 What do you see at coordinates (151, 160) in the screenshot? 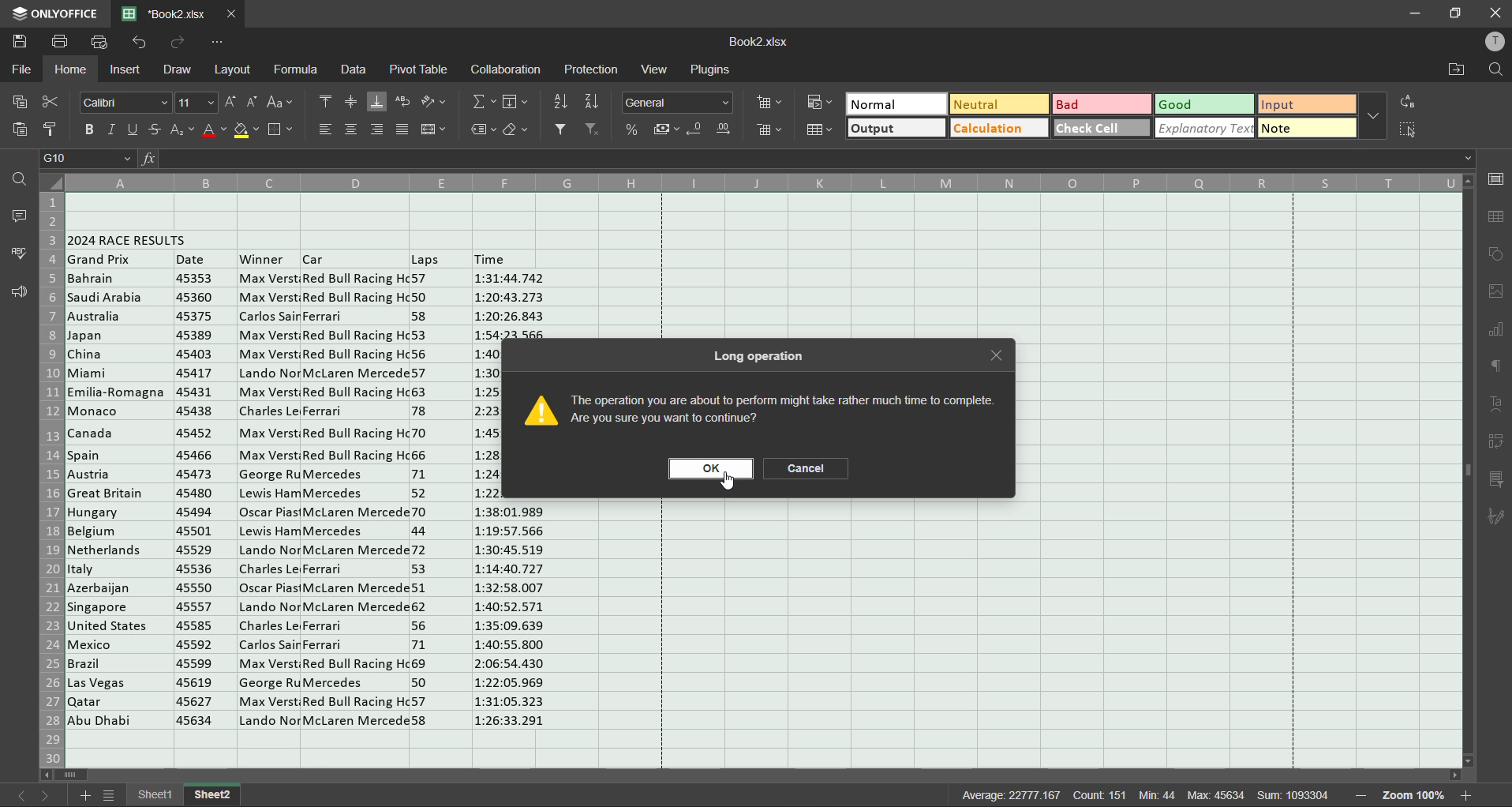
I see `fx` at bounding box center [151, 160].